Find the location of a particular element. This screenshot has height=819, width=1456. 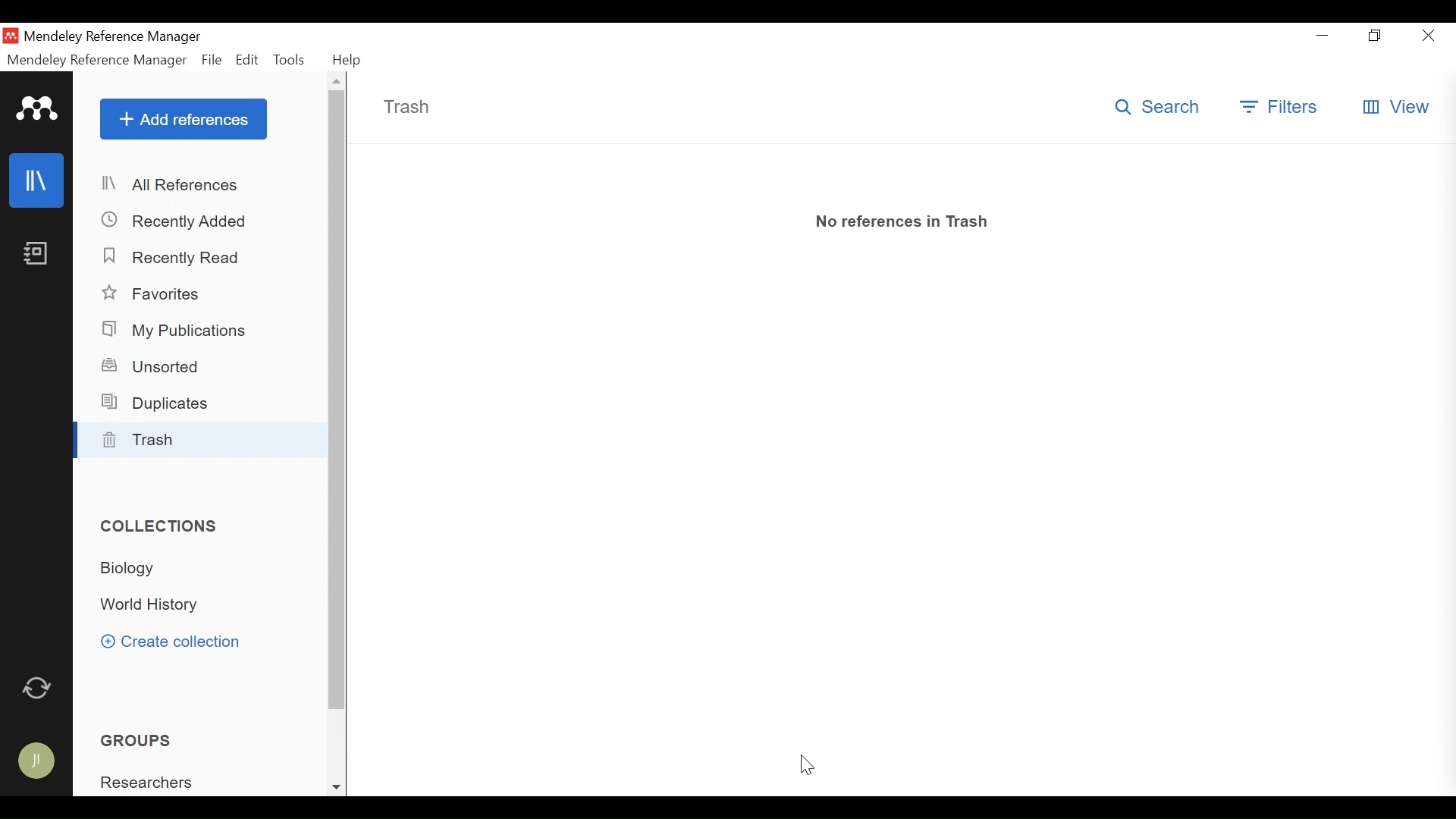

Collection is located at coordinates (137, 568).